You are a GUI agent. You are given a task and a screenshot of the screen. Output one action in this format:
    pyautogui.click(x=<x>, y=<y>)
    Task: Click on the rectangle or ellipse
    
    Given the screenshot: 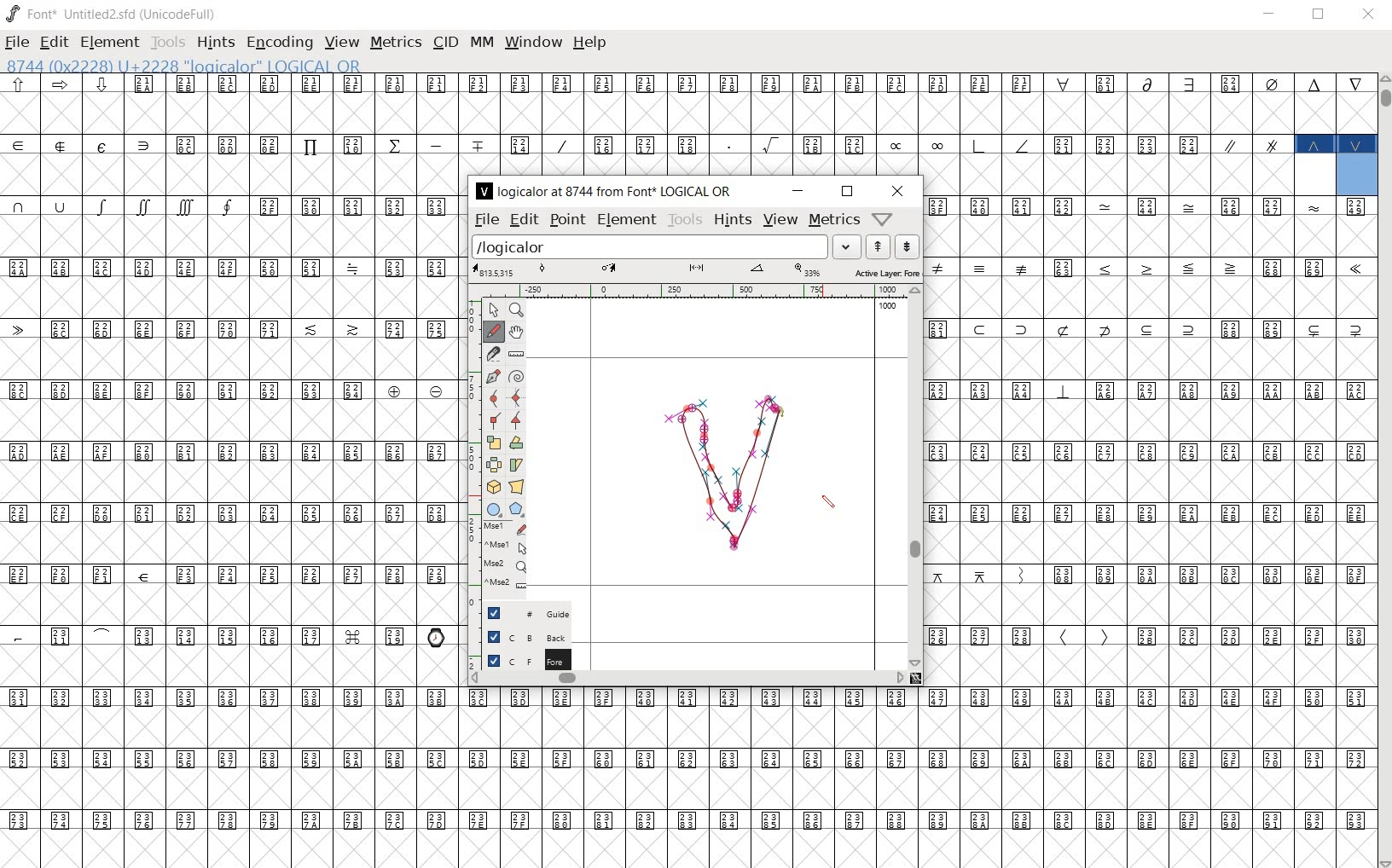 What is the action you would take?
    pyautogui.click(x=496, y=510)
    